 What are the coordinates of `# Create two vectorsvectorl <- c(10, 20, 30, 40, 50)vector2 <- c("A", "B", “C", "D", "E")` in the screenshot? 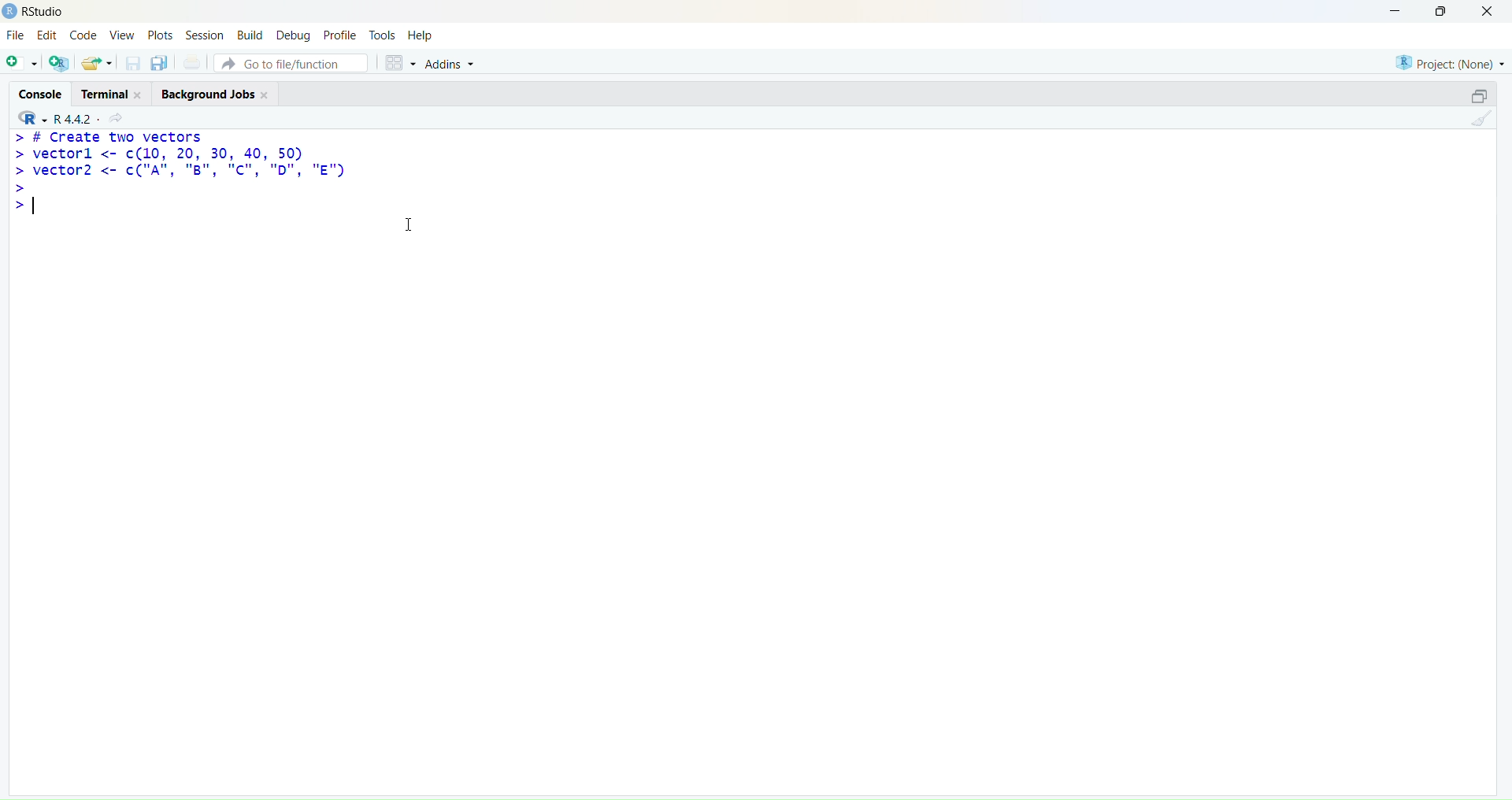 It's located at (180, 174).